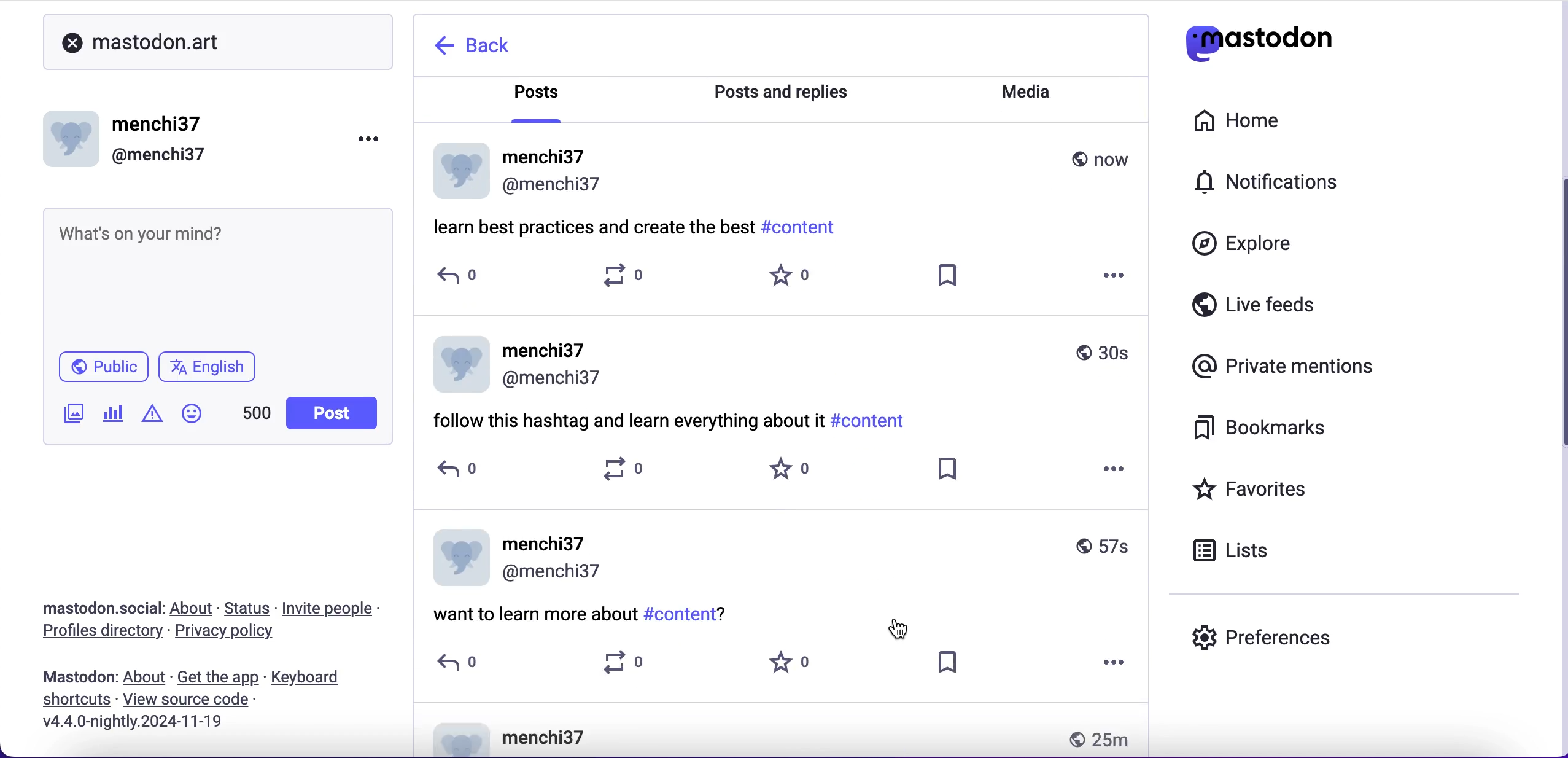 The image size is (1568, 758). I want to click on notifications, so click(1294, 186).